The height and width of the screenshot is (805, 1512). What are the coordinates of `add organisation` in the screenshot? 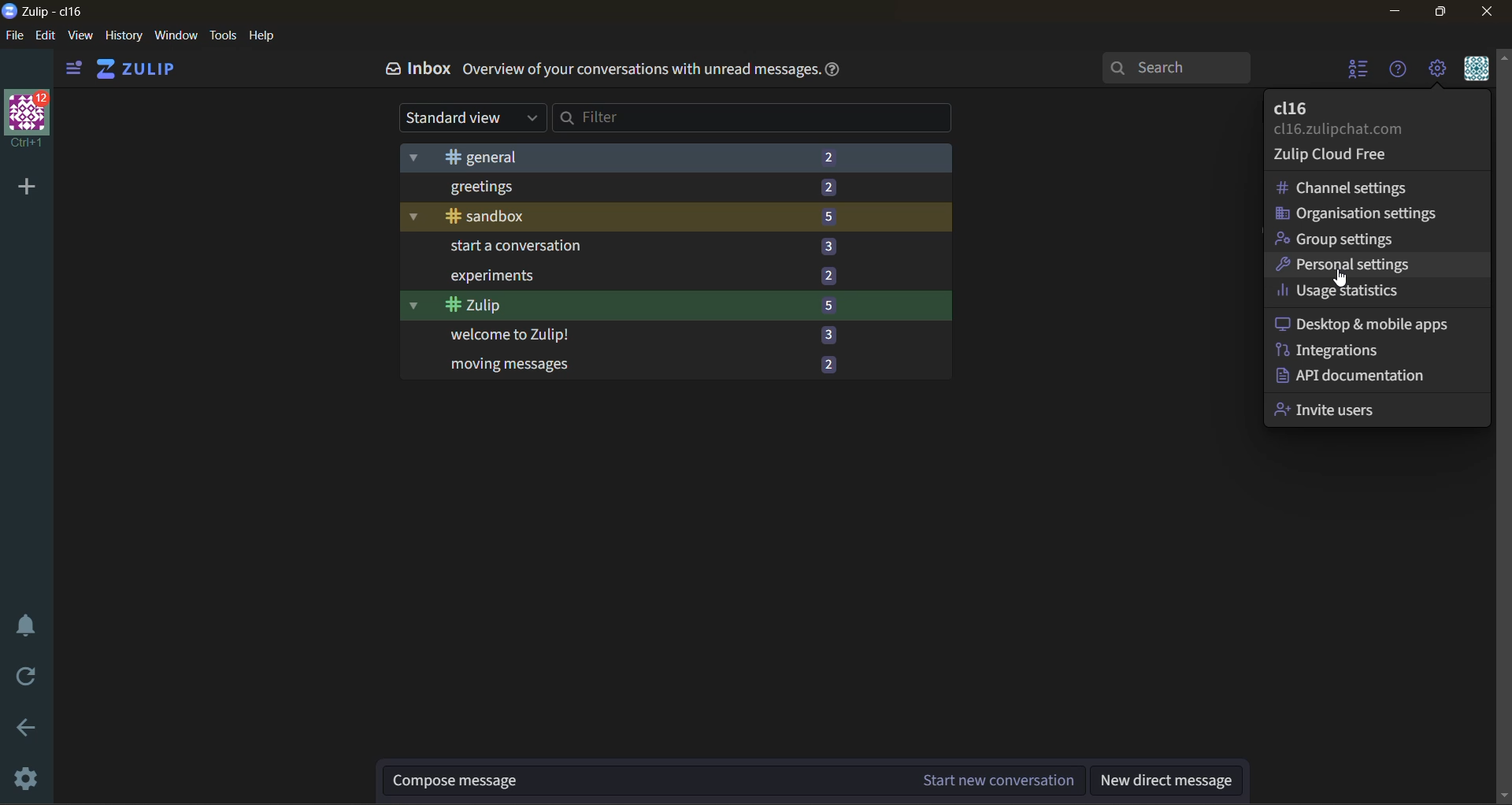 It's located at (24, 187).